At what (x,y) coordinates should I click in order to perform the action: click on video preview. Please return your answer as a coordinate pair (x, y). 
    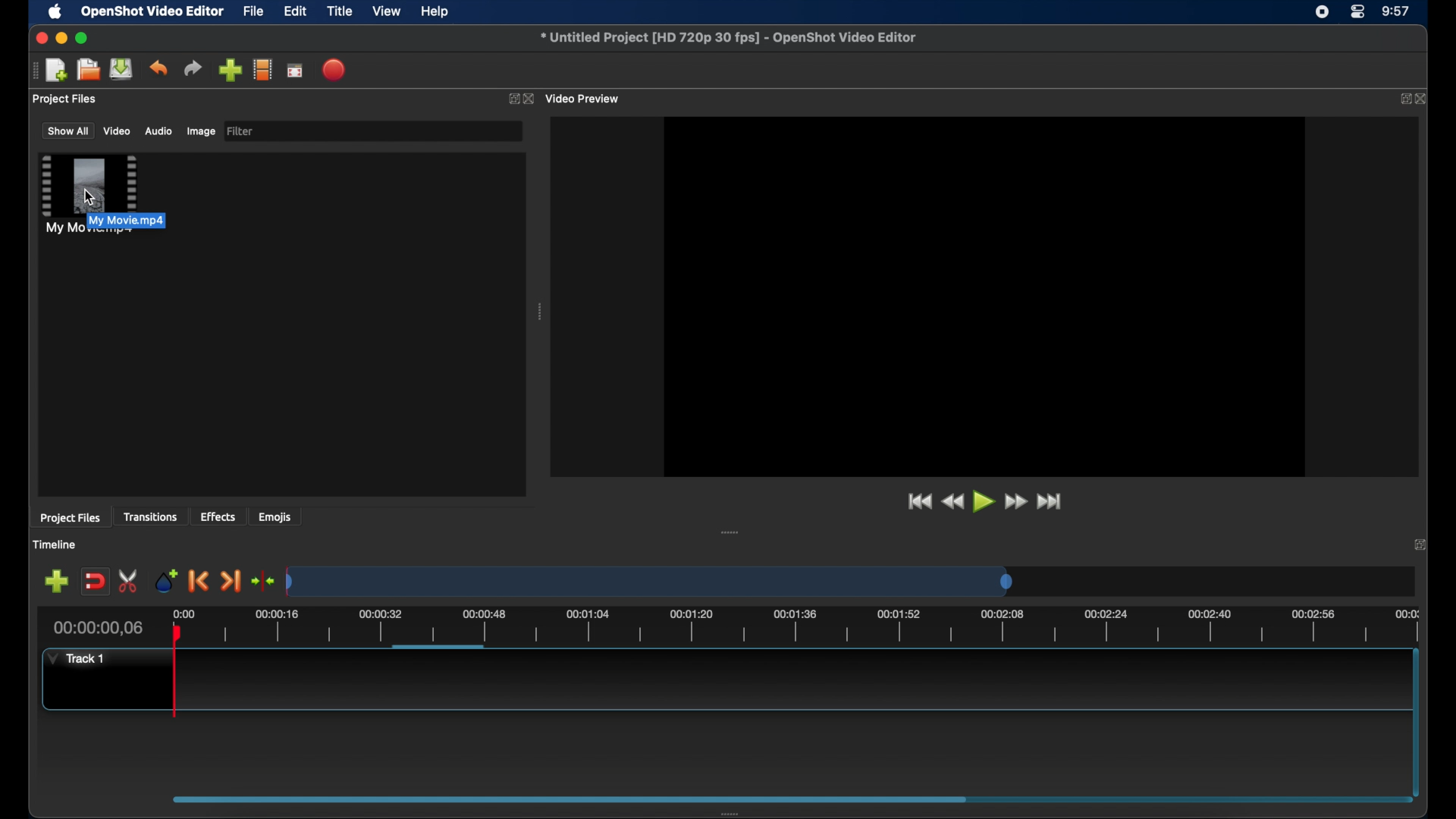
    Looking at the image, I should click on (983, 297).